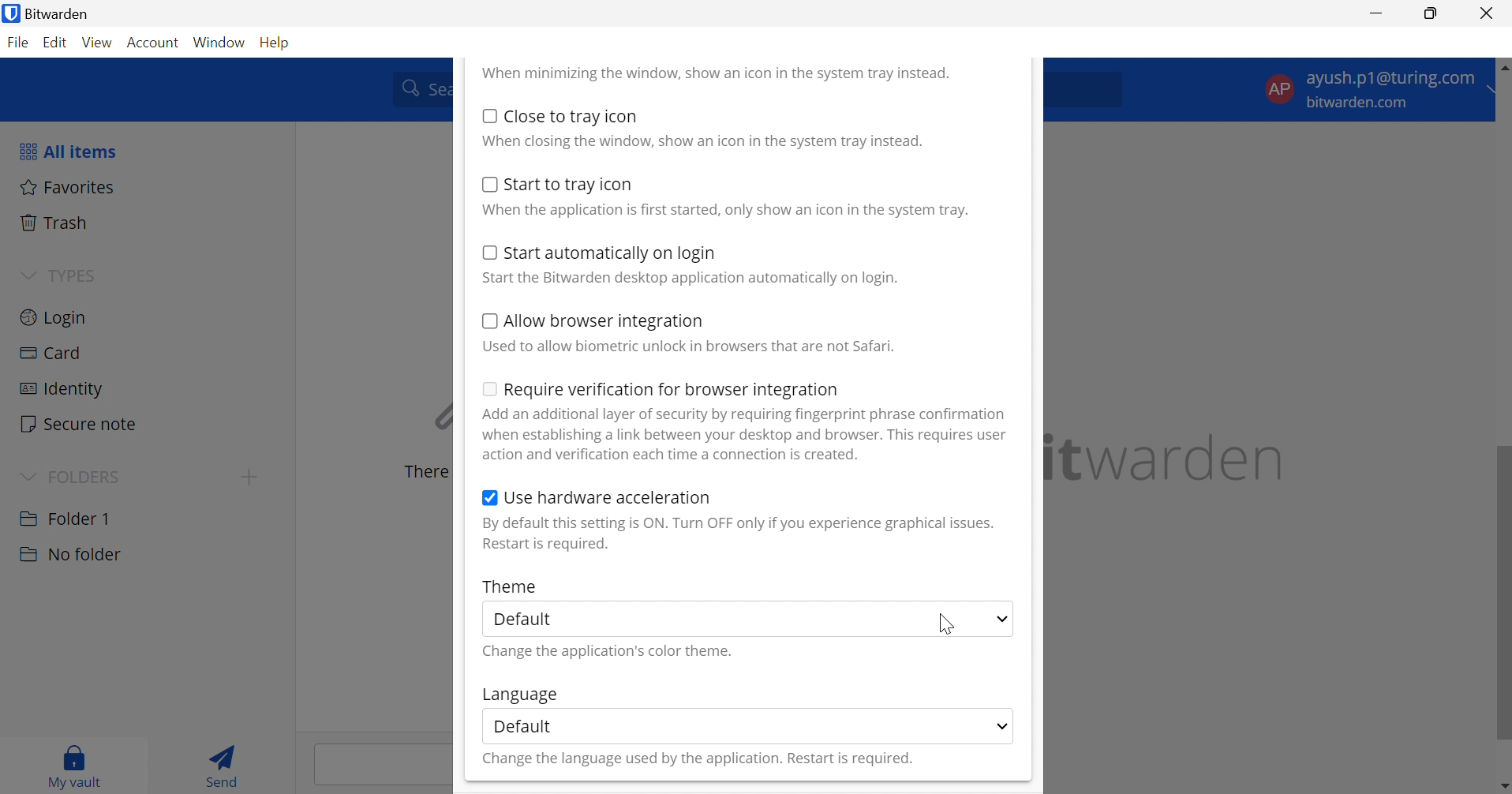 The height and width of the screenshot is (794, 1512). Describe the element at coordinates (548, 545) in the screenshot. I see `Restart is required.` at that location.